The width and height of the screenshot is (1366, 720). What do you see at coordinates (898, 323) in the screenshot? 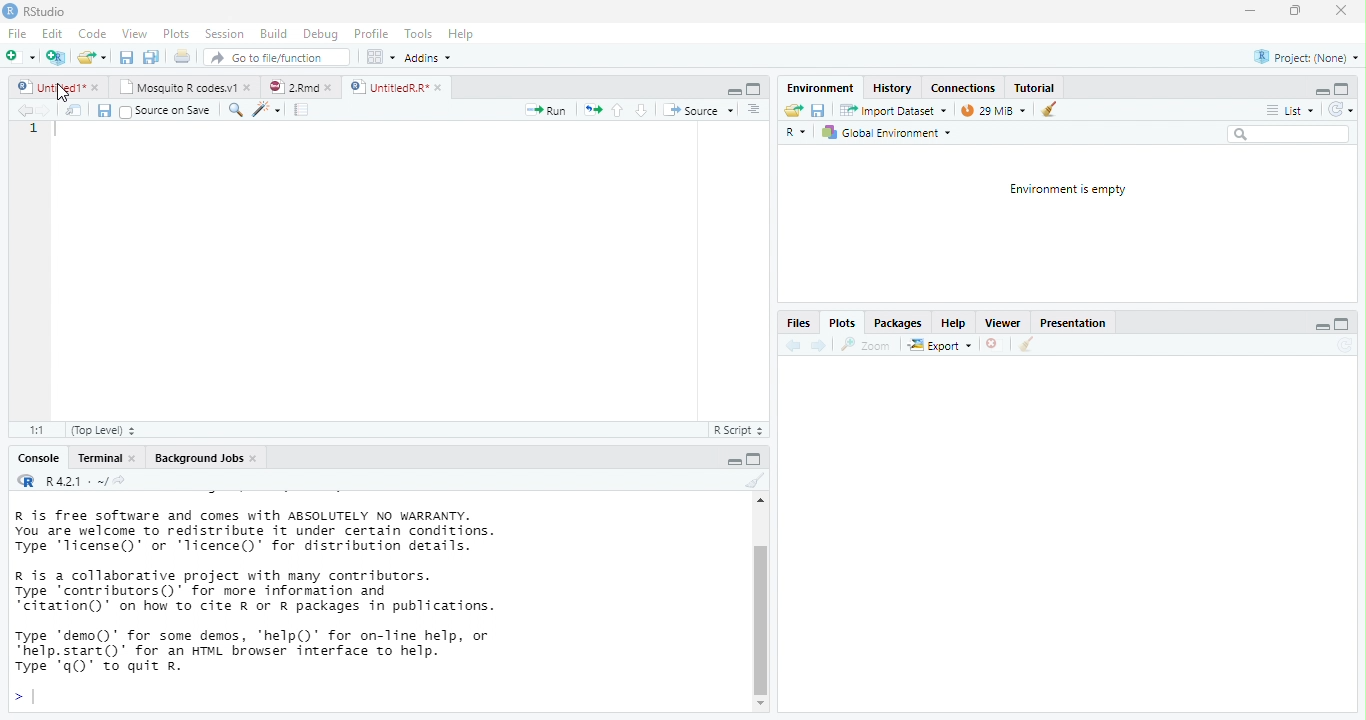
I see `Packages` at bounding box center [898, 323].